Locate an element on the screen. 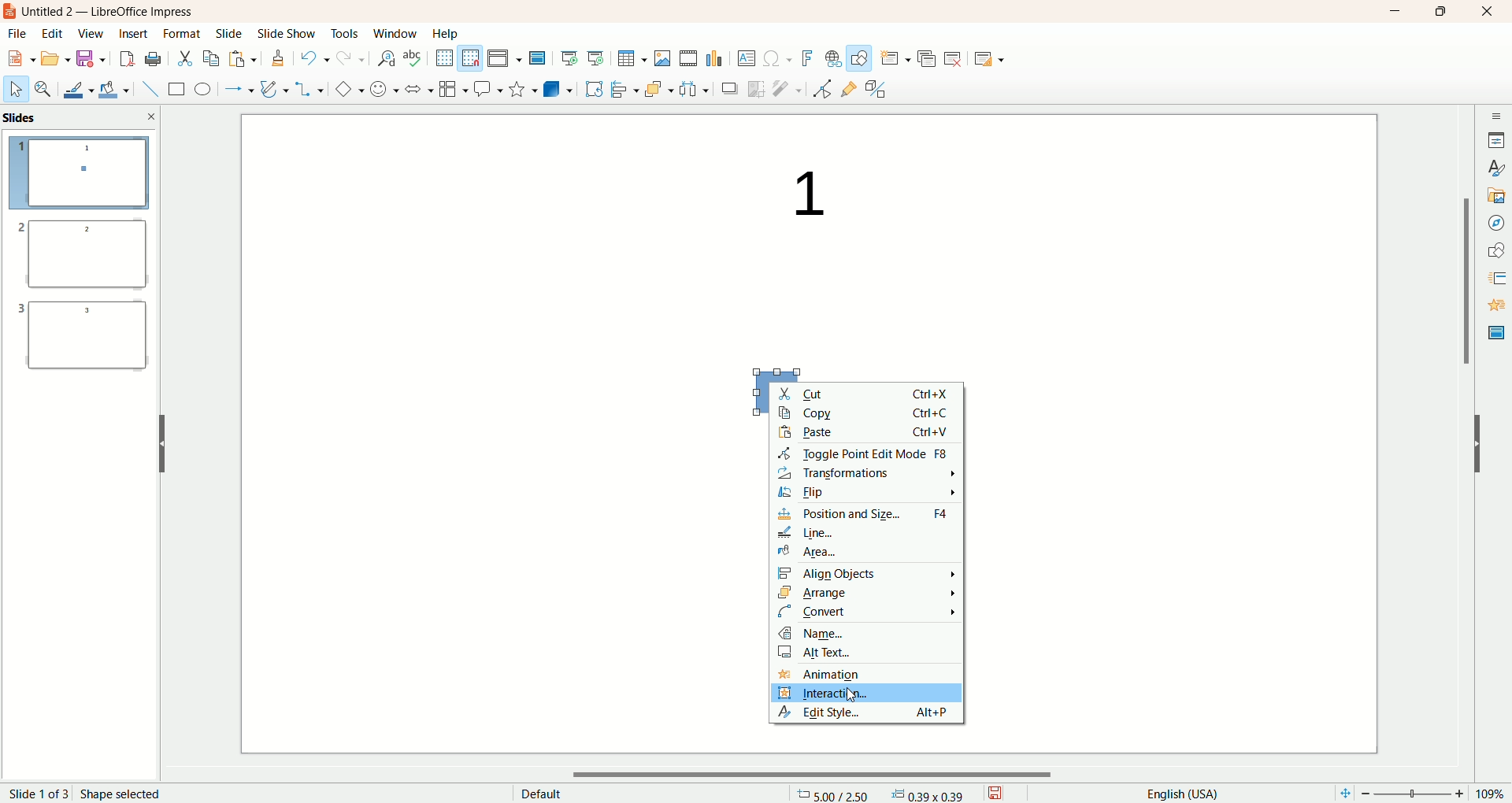  export directly as PDF is located at coordinates (125, 59).